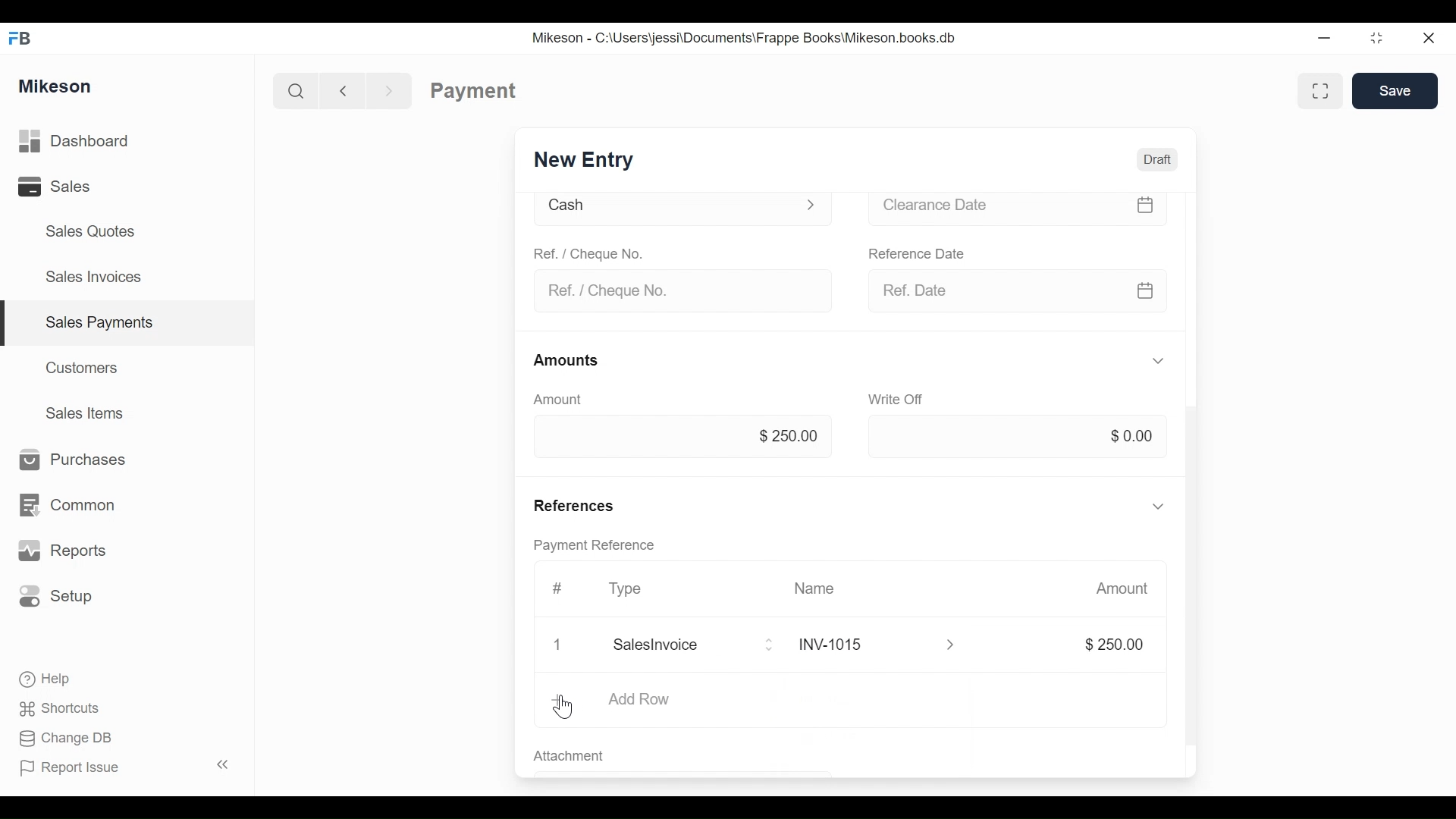  Describe the element at coordinates (581, 505) in the screenshot. I see `References` at that location.